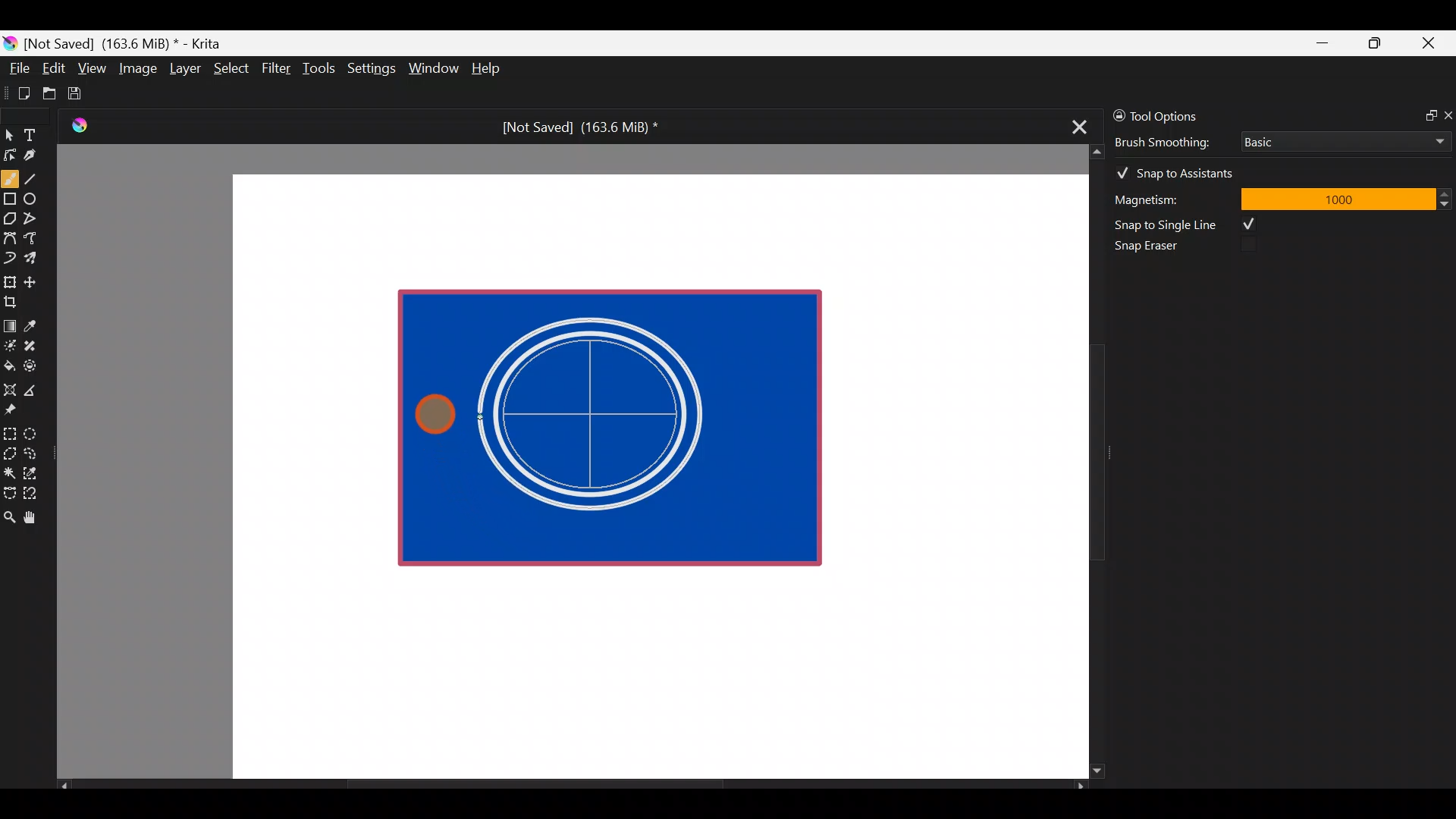 This screenshot has width=1456, height=819. What do you see at coordinates (36, 518) in the screenshot?
I see `Pan tool` at bounding box center [36, 518].